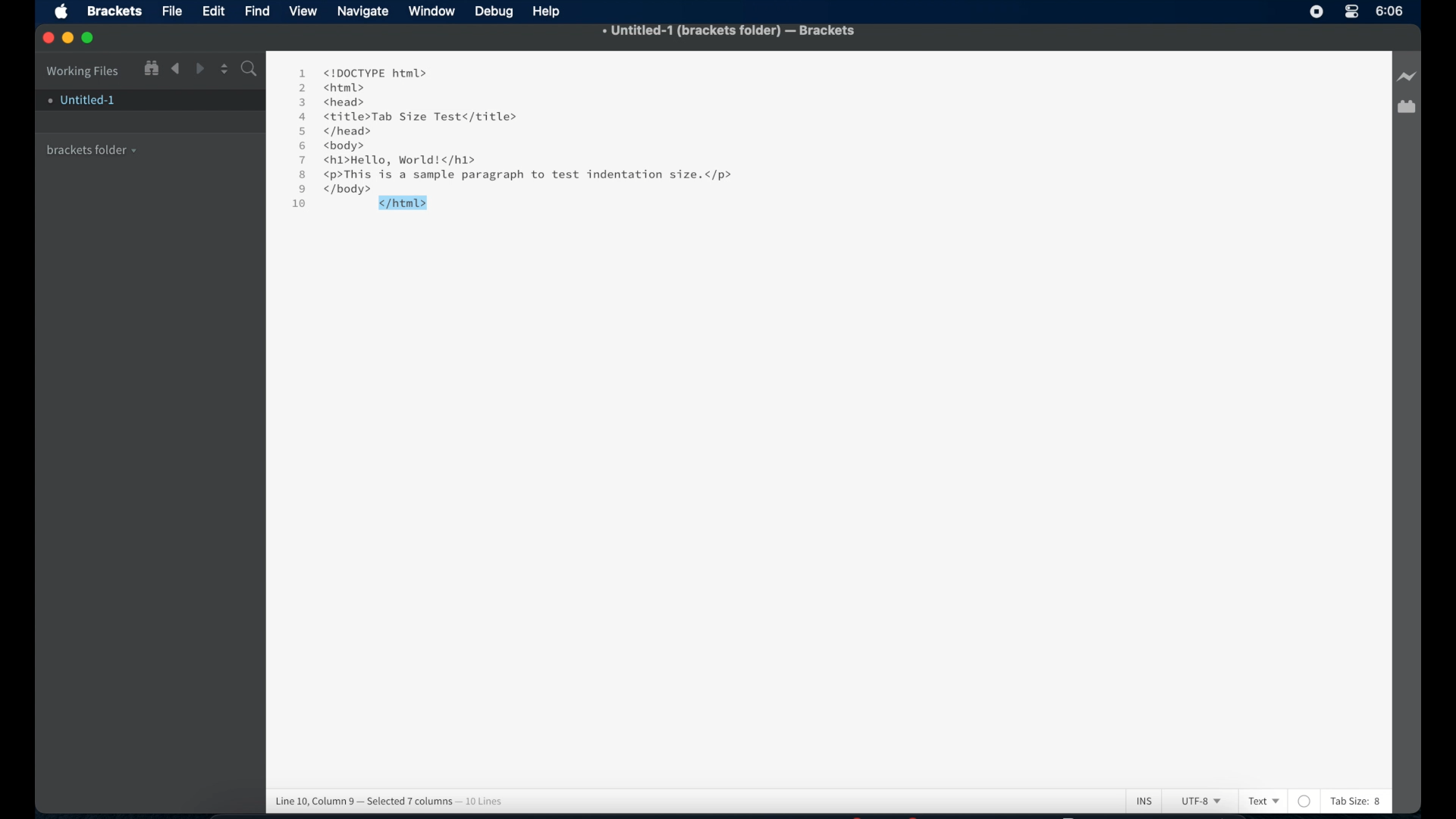 The image size is (1456, 819). Describe the element at coordinates (150, 67) in the screenshot. I see `Zoom in` at that location.